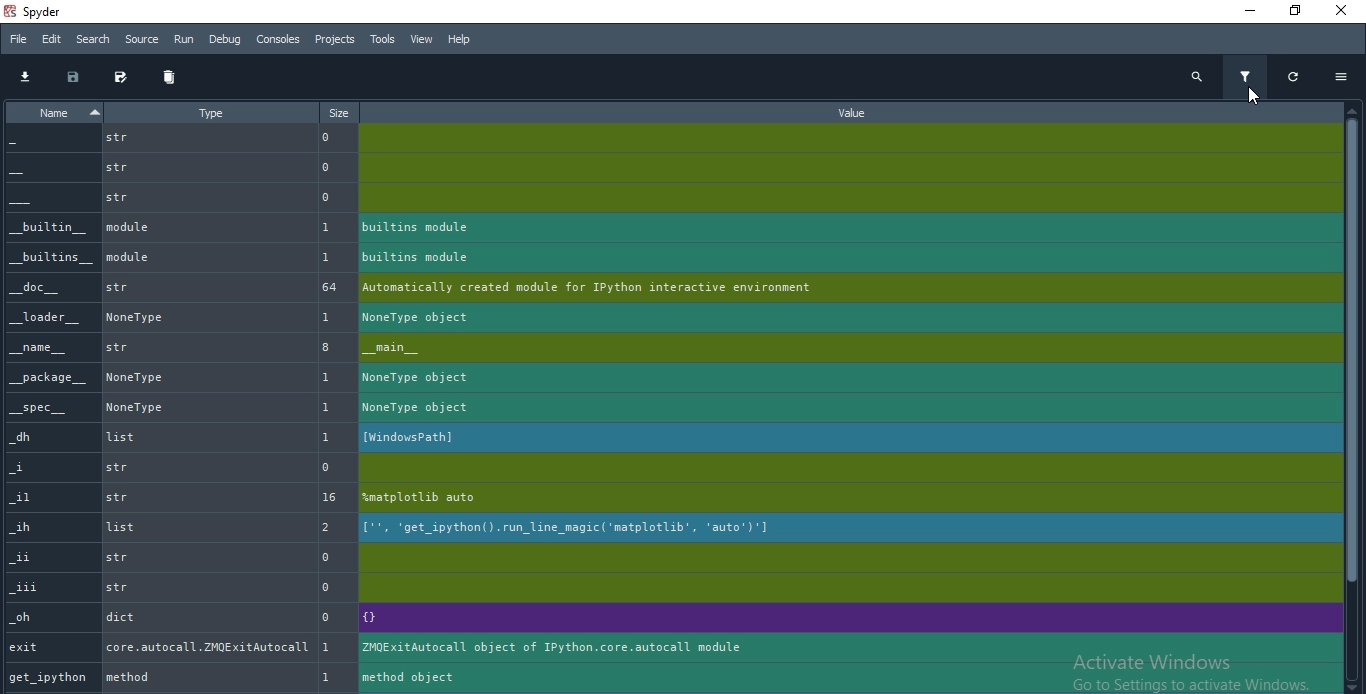 The image size is (1366, 694). What do you see at coordinates (52, 38) in the screenshot?
I see `Edit` at bounding box center [52, 38].